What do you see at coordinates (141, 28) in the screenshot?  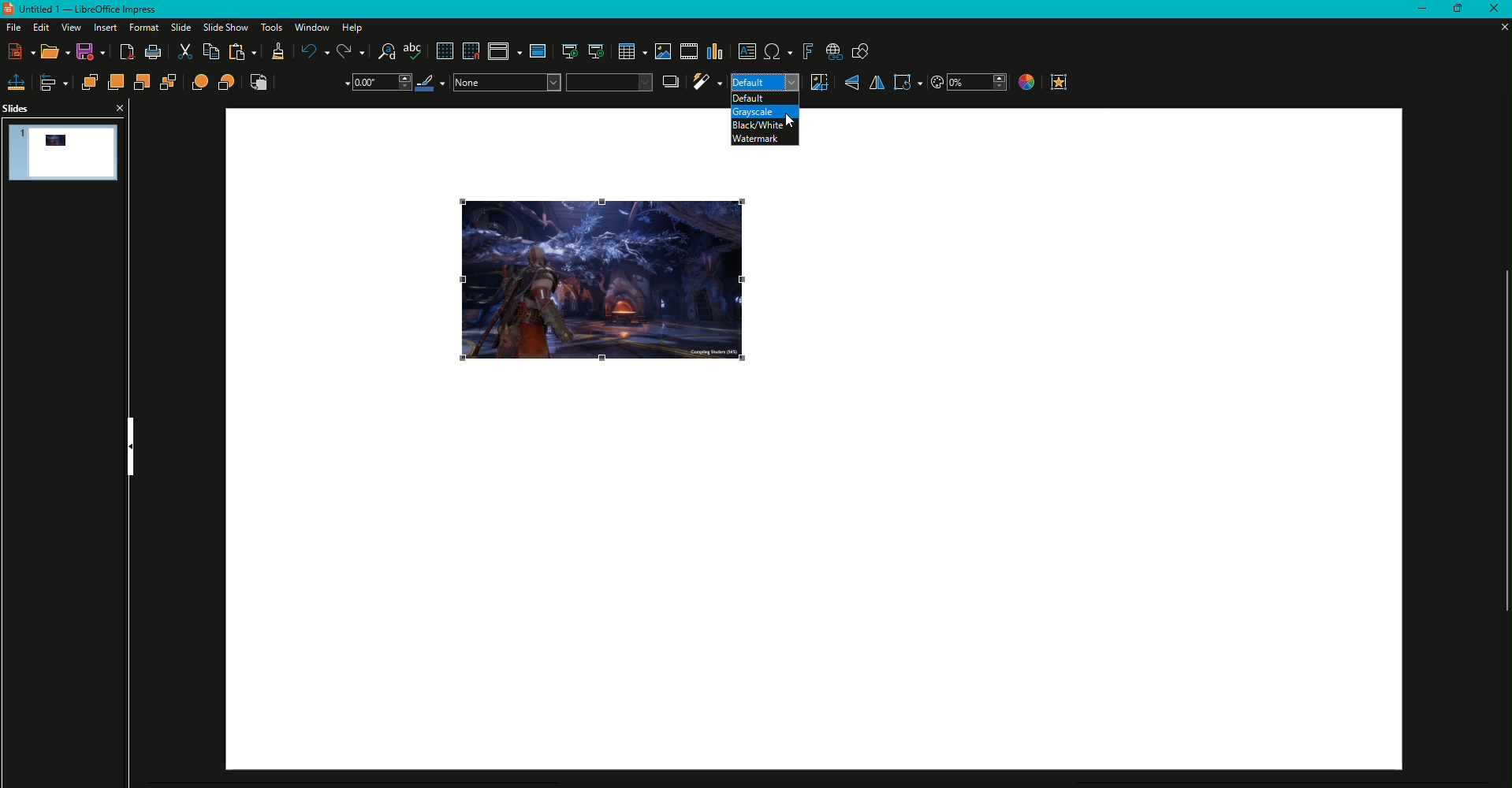 I see `Format` at bounding box center [141, 28].